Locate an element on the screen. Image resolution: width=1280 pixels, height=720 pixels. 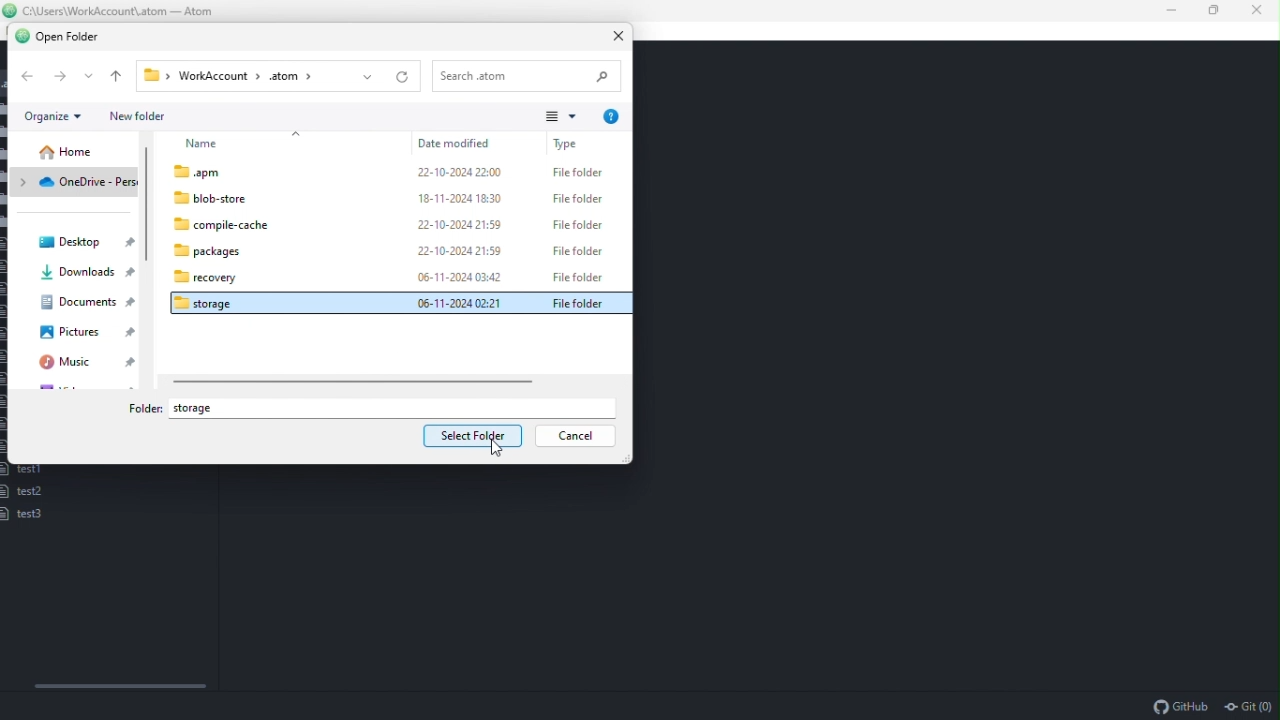
Restore is located at coordinates (1217, 10).